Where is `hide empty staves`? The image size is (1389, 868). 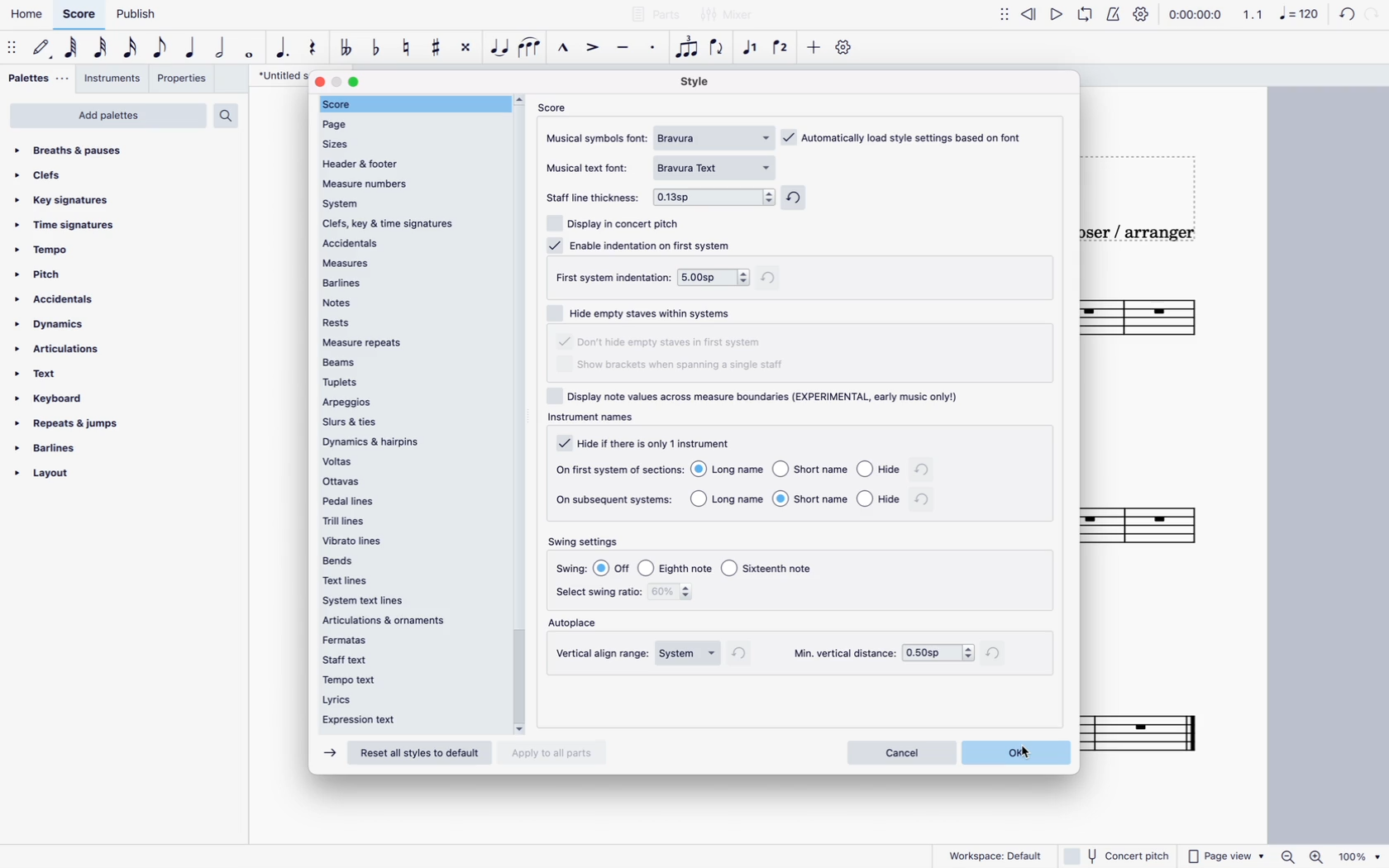 hide empty staves is located at coordinates (663, 343).